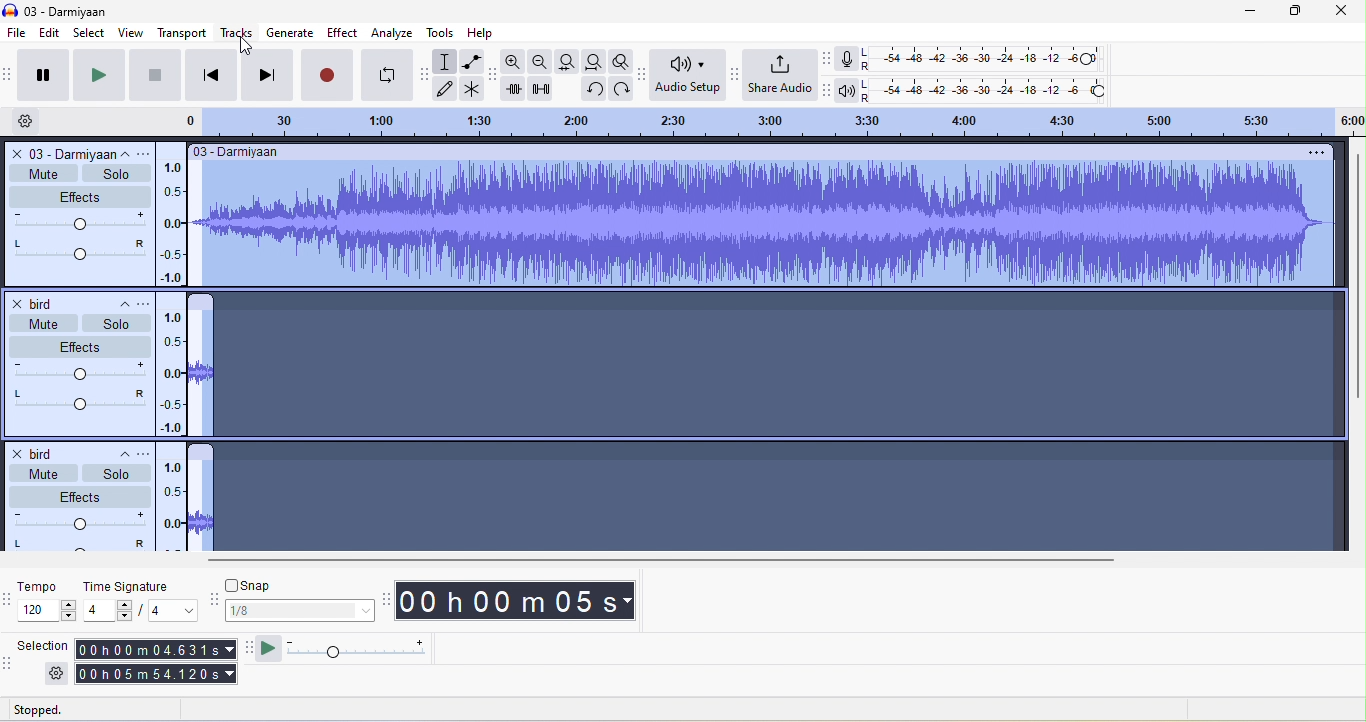 The width and height of the screenshot is (1366, 722). Describe the element at coordinates (689, 77) in the screenshot. I see `audio setup` at that location.